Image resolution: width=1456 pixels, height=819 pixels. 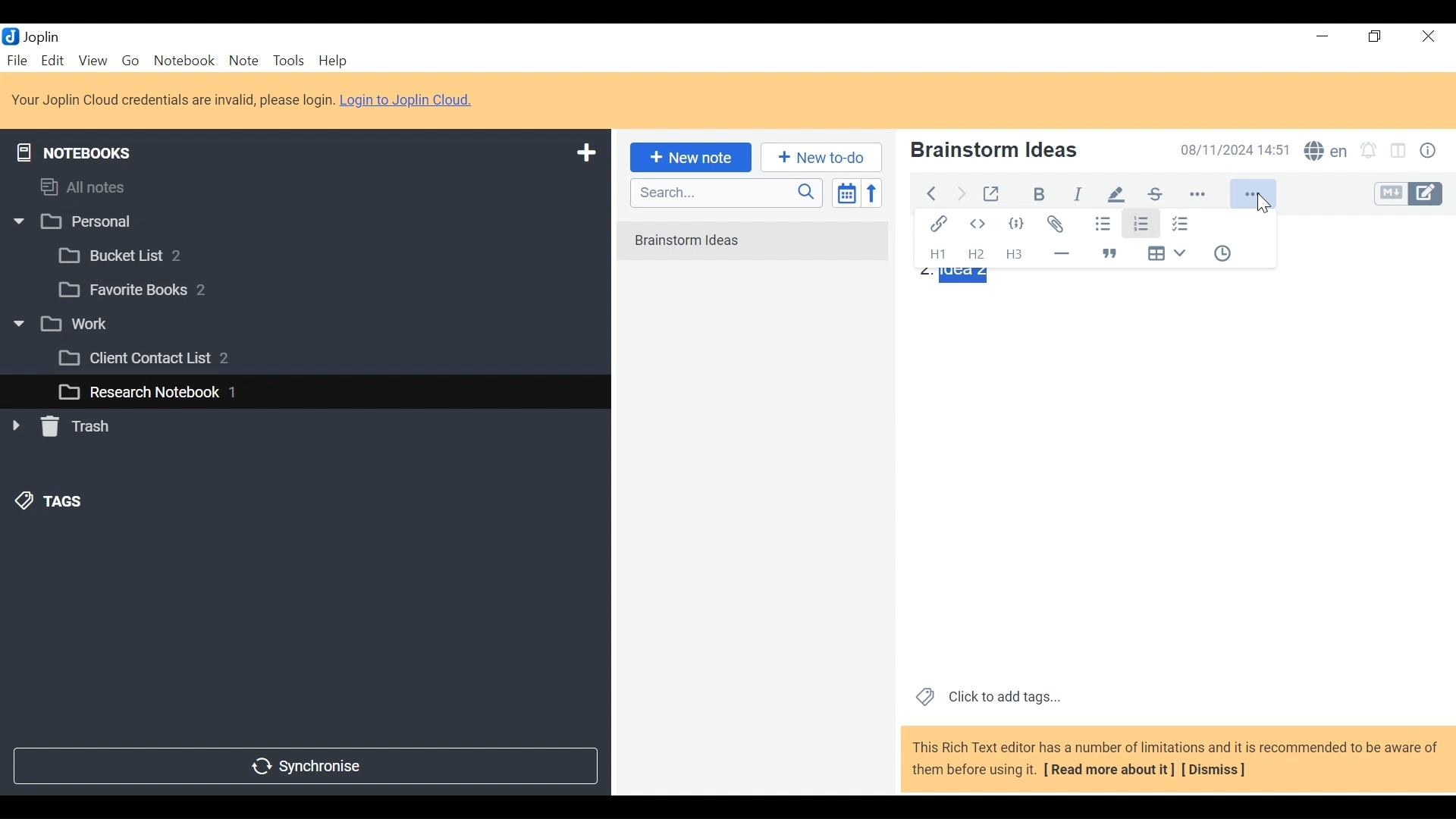 I want to click on View, so click(x=93, y=60).